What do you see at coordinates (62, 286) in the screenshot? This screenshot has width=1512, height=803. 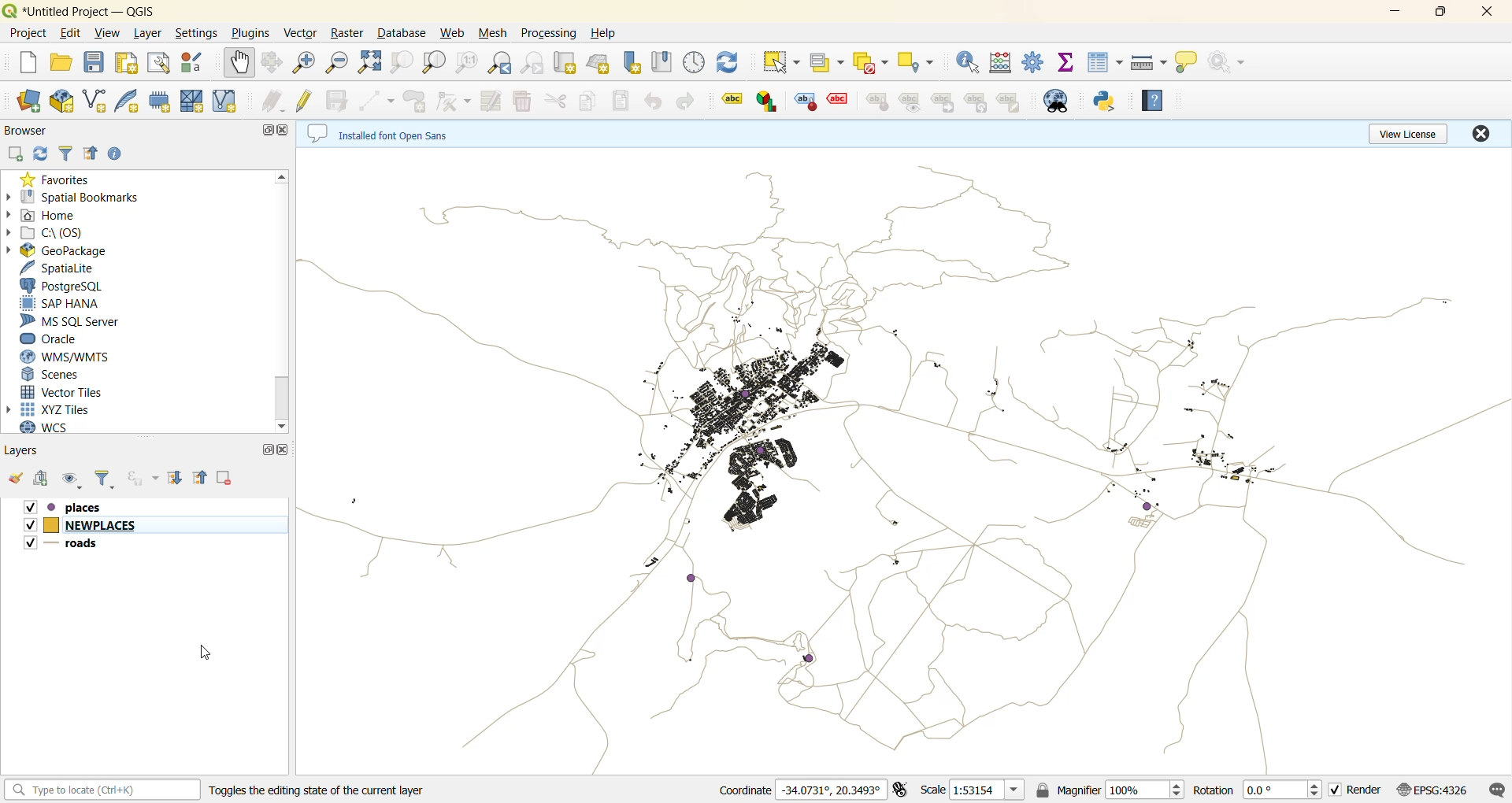 I see `postgresql` at bounding box center [62, 286].